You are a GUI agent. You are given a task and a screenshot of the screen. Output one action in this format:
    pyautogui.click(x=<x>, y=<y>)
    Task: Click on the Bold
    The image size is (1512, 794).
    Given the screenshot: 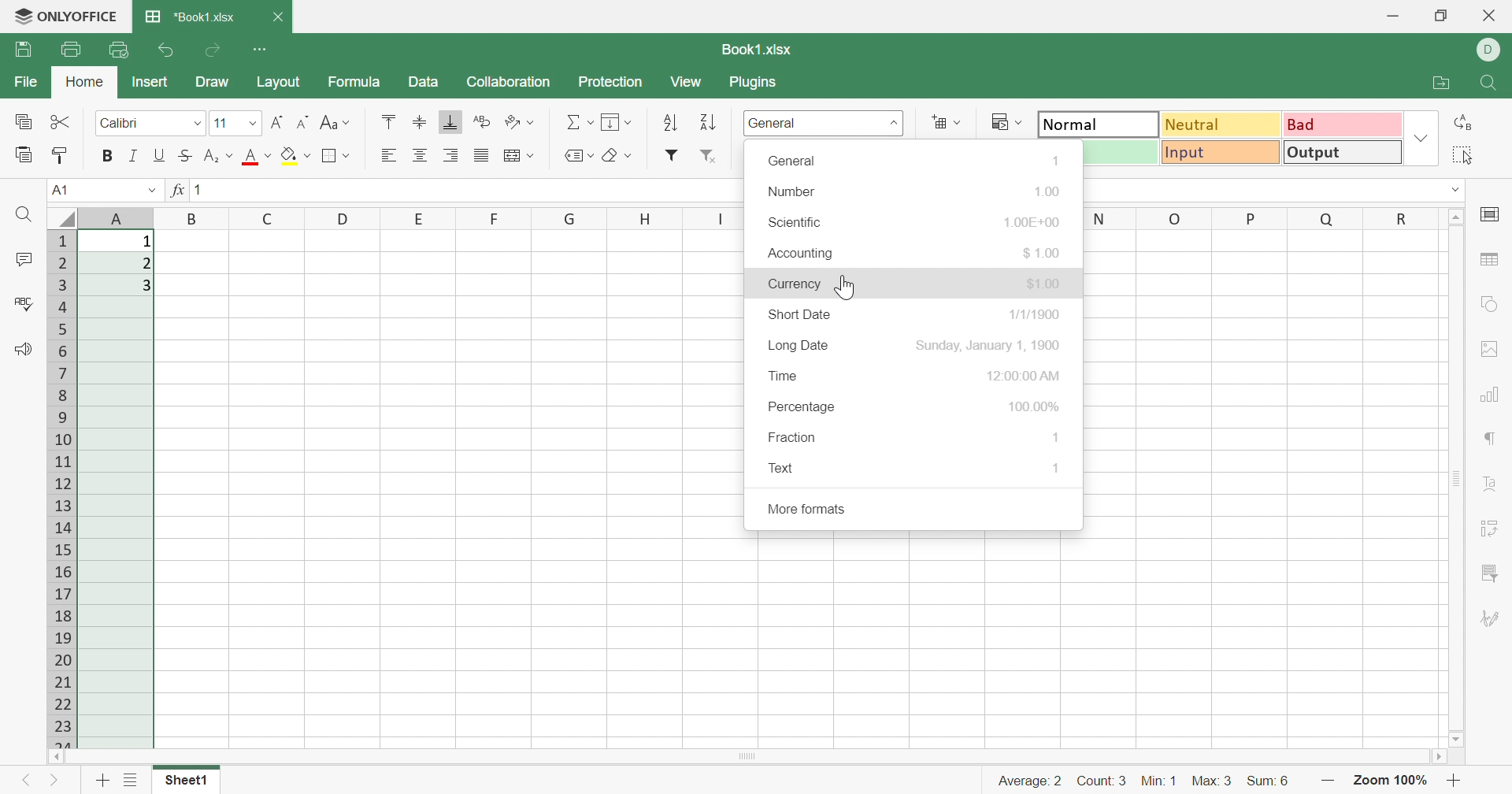 What is the action you would take?
    pyautogui.click(x=108, y=155)
    